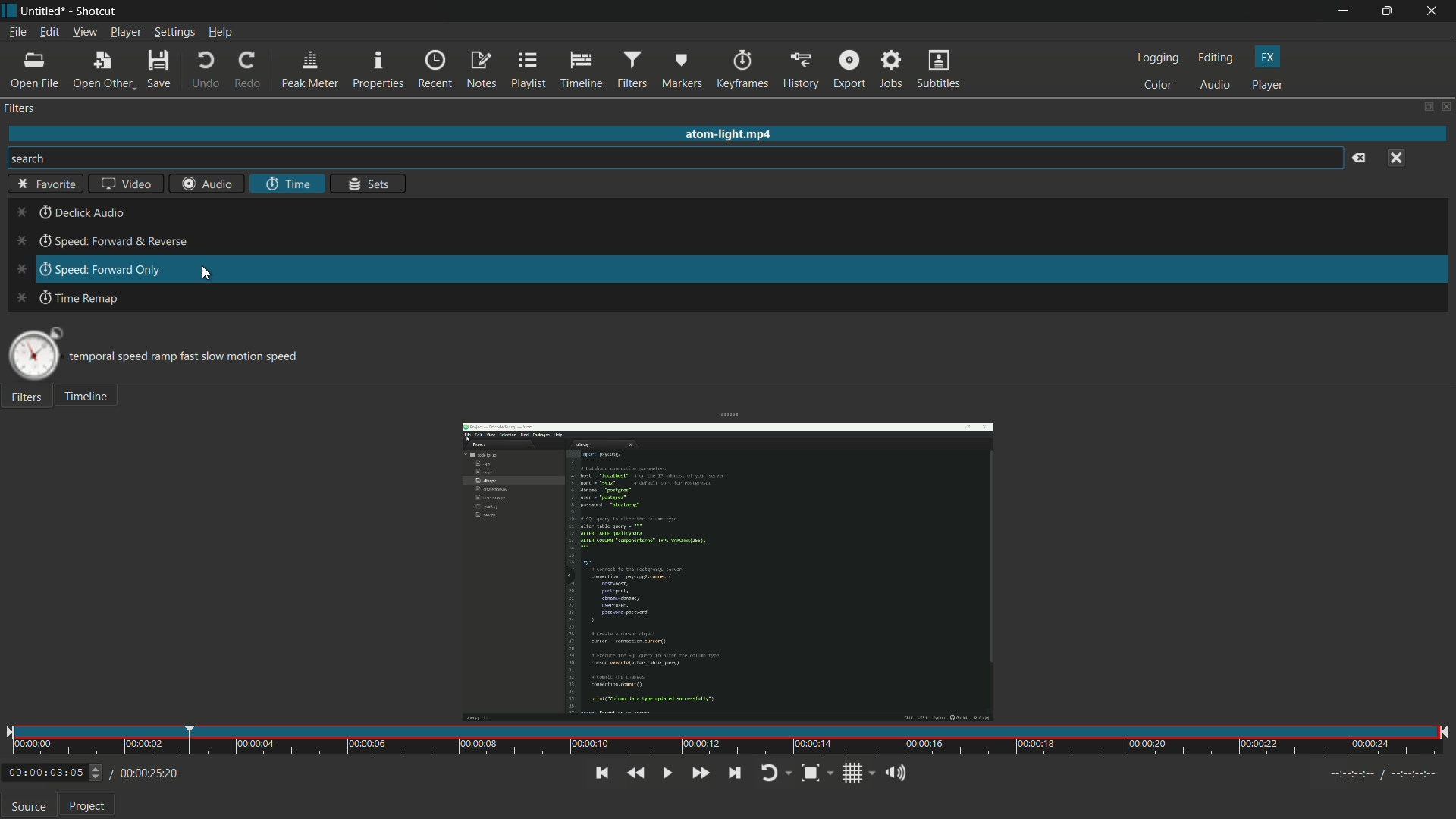 This screenshot has height=819, width=1456. I want to click on toggle player looping, so click(776, 773).